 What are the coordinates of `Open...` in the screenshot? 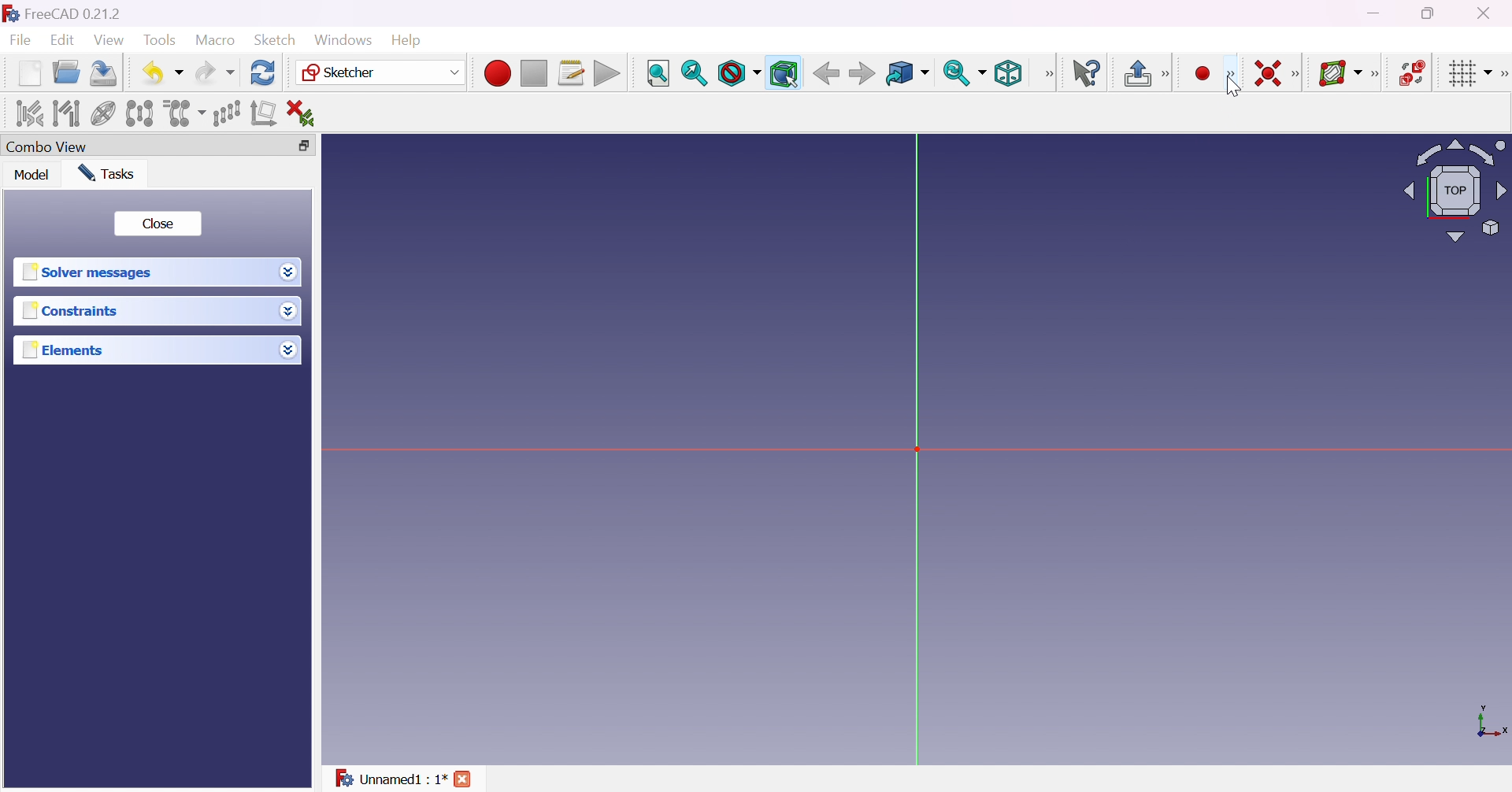 It's located at (65, 73).